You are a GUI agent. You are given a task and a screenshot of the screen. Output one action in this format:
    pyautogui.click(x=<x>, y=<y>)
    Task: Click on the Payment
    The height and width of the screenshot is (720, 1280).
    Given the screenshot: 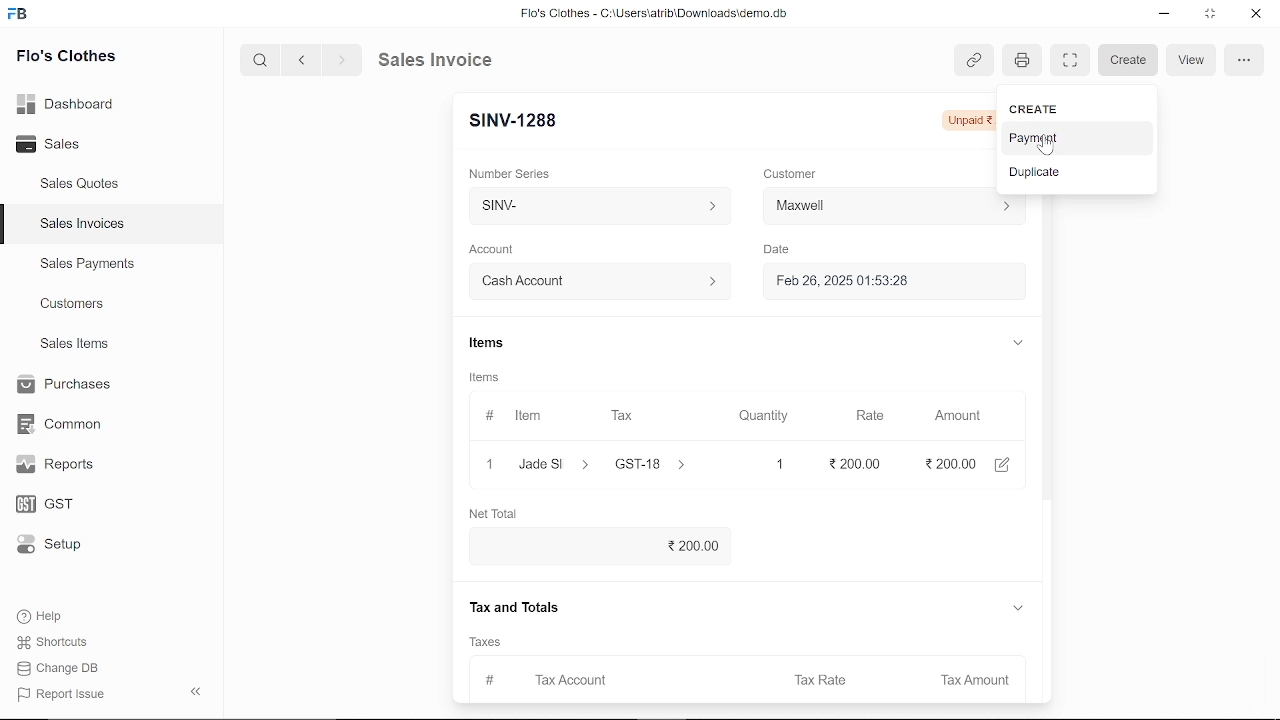 What is the action you would take?
    pyautogui.click(x=1076, y=137)
    